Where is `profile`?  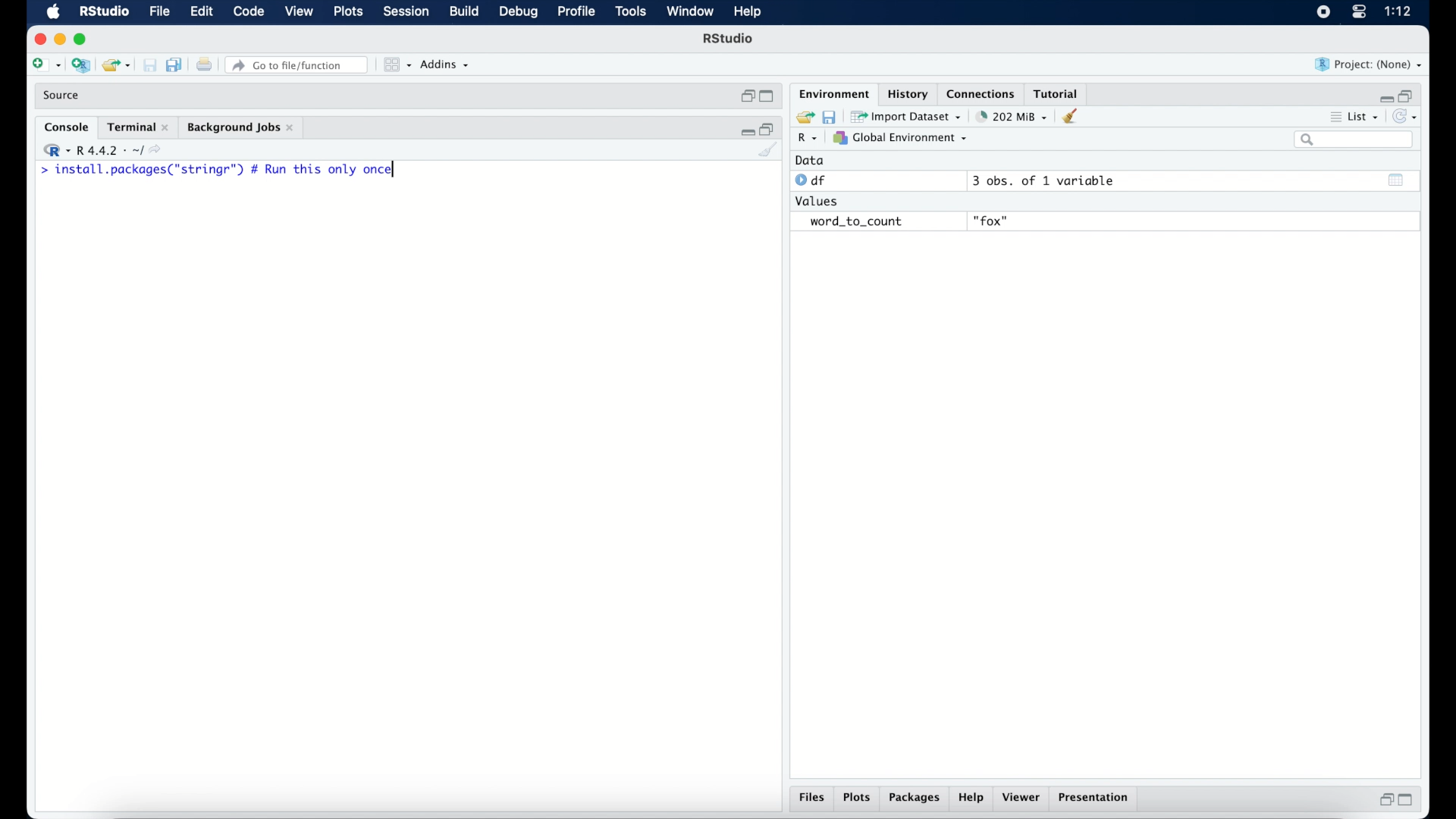 profile is located at coordinates (575, 12).